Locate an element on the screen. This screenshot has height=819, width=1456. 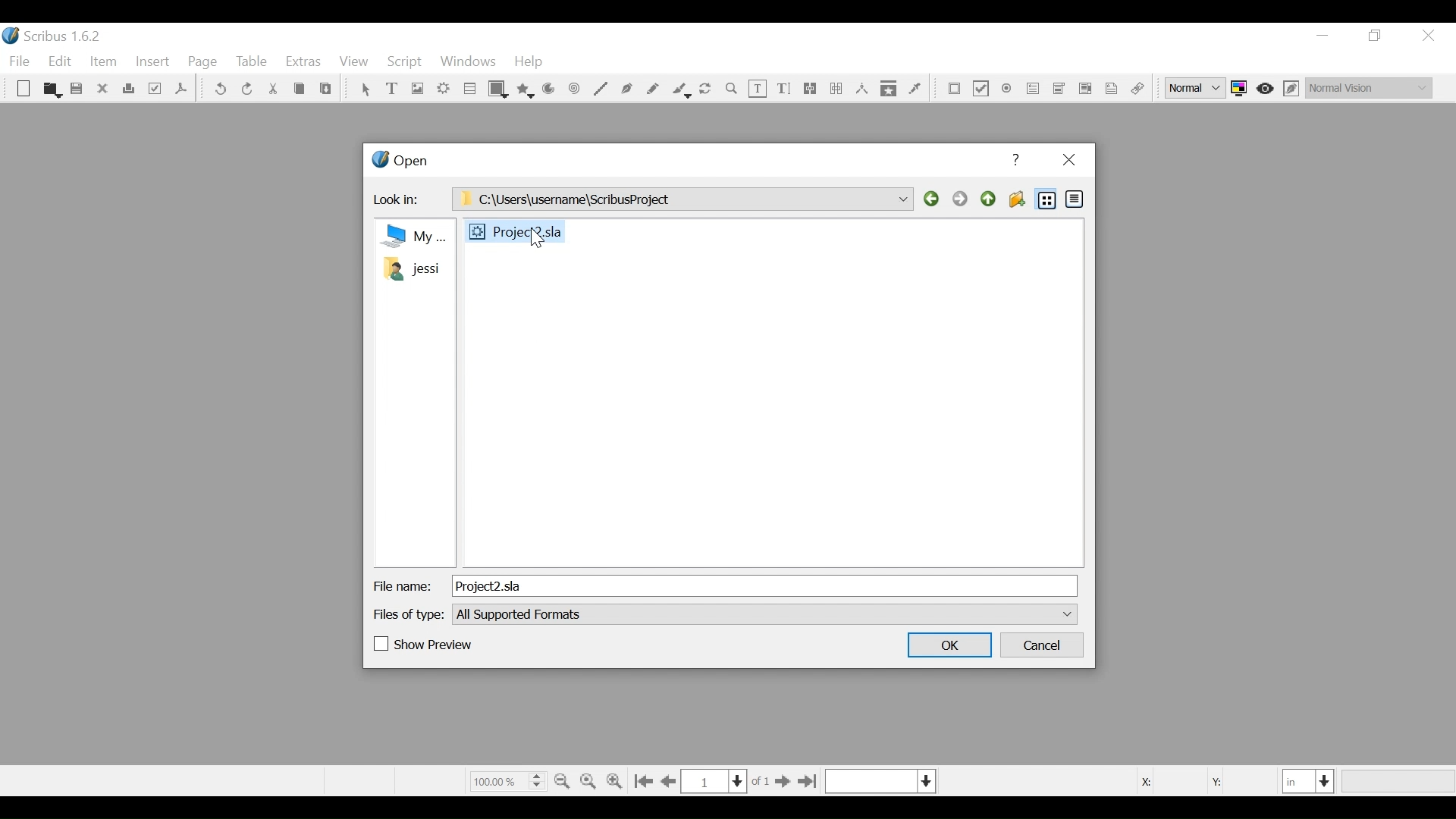
Zoom out is located at coordinates (563, 780).